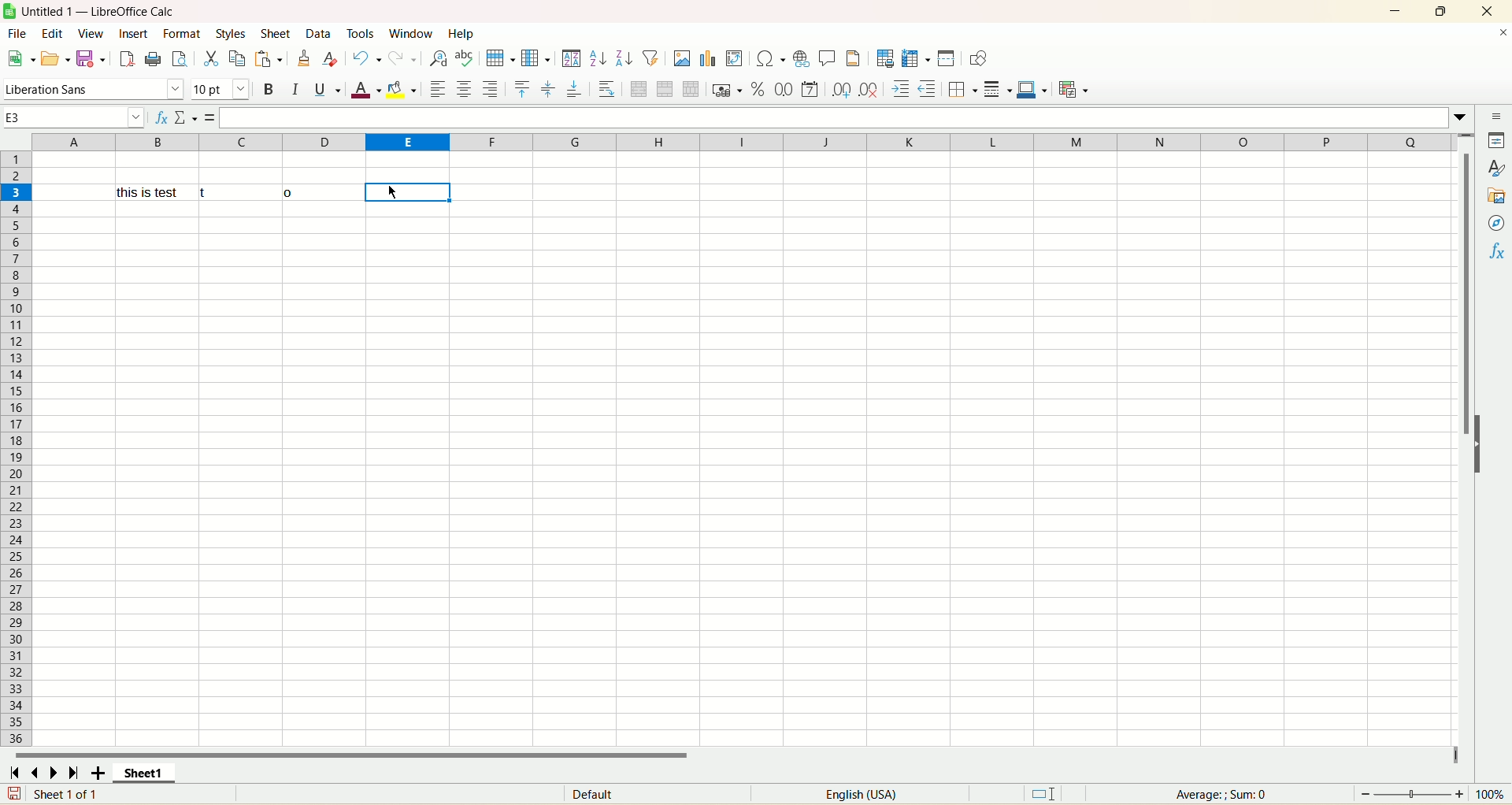  What do you see at coordinates (40, 770) in the screenshot?
I see `scroll to previous sheet` at bounding box center [40, 770].